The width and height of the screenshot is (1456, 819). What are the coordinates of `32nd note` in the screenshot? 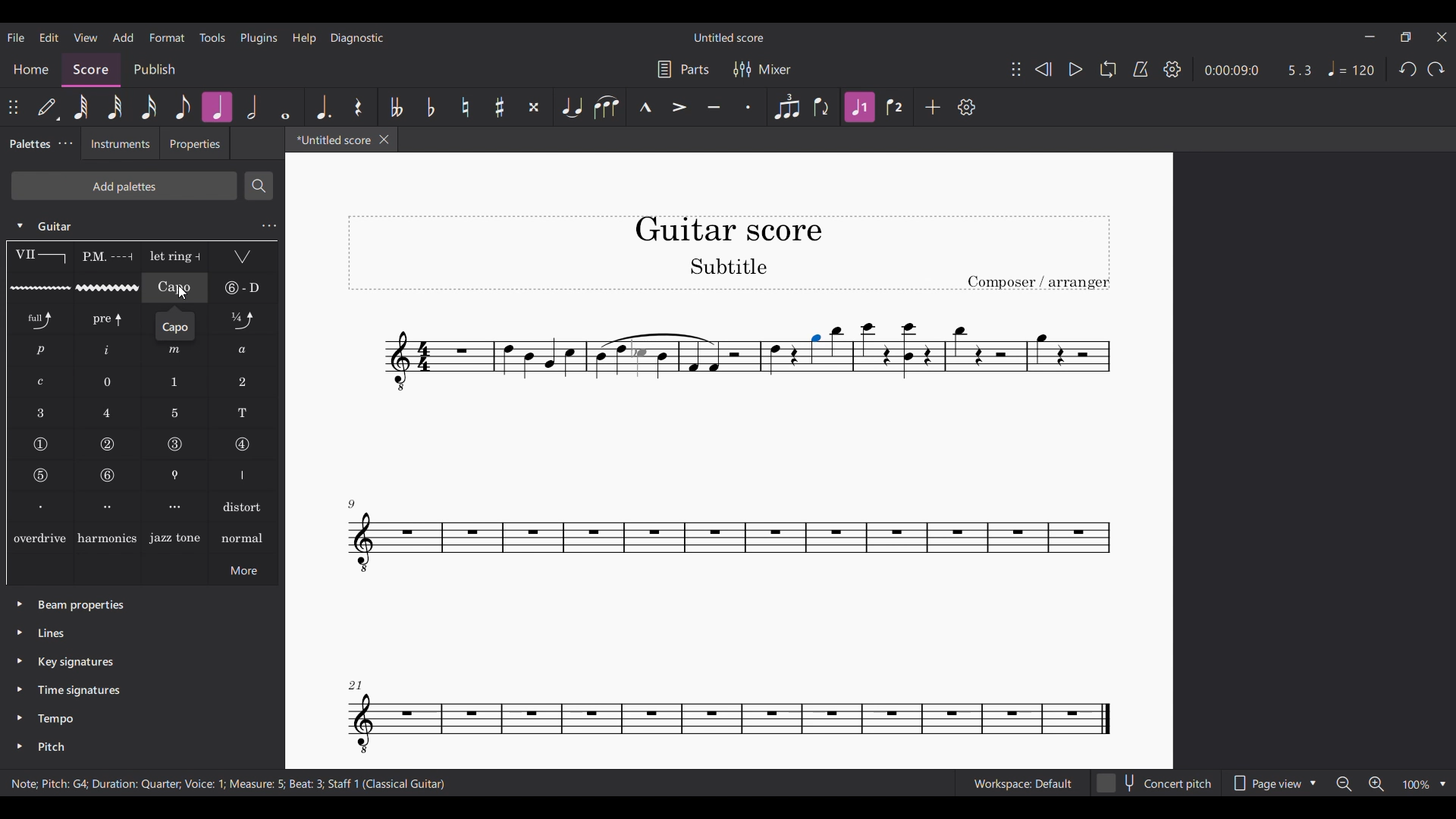 It's located at (115, 107).